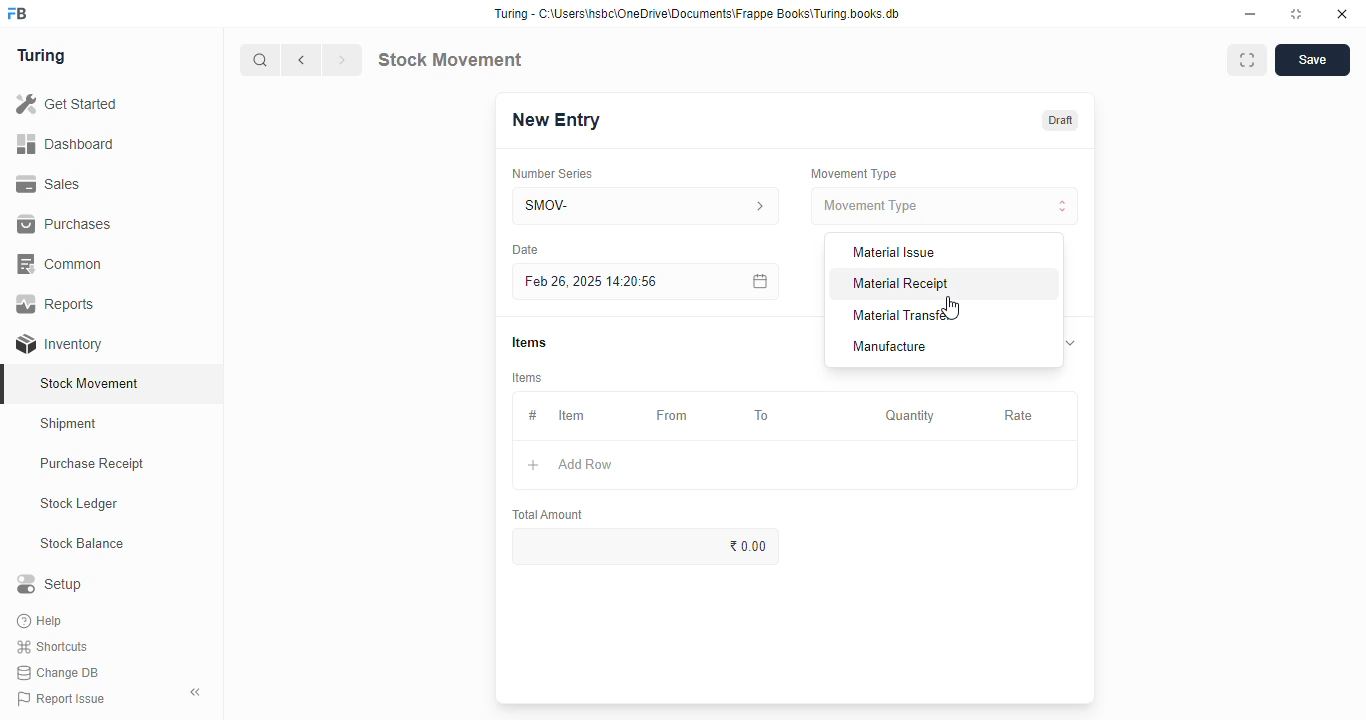  I want to click on draft, so click(1062, 120).